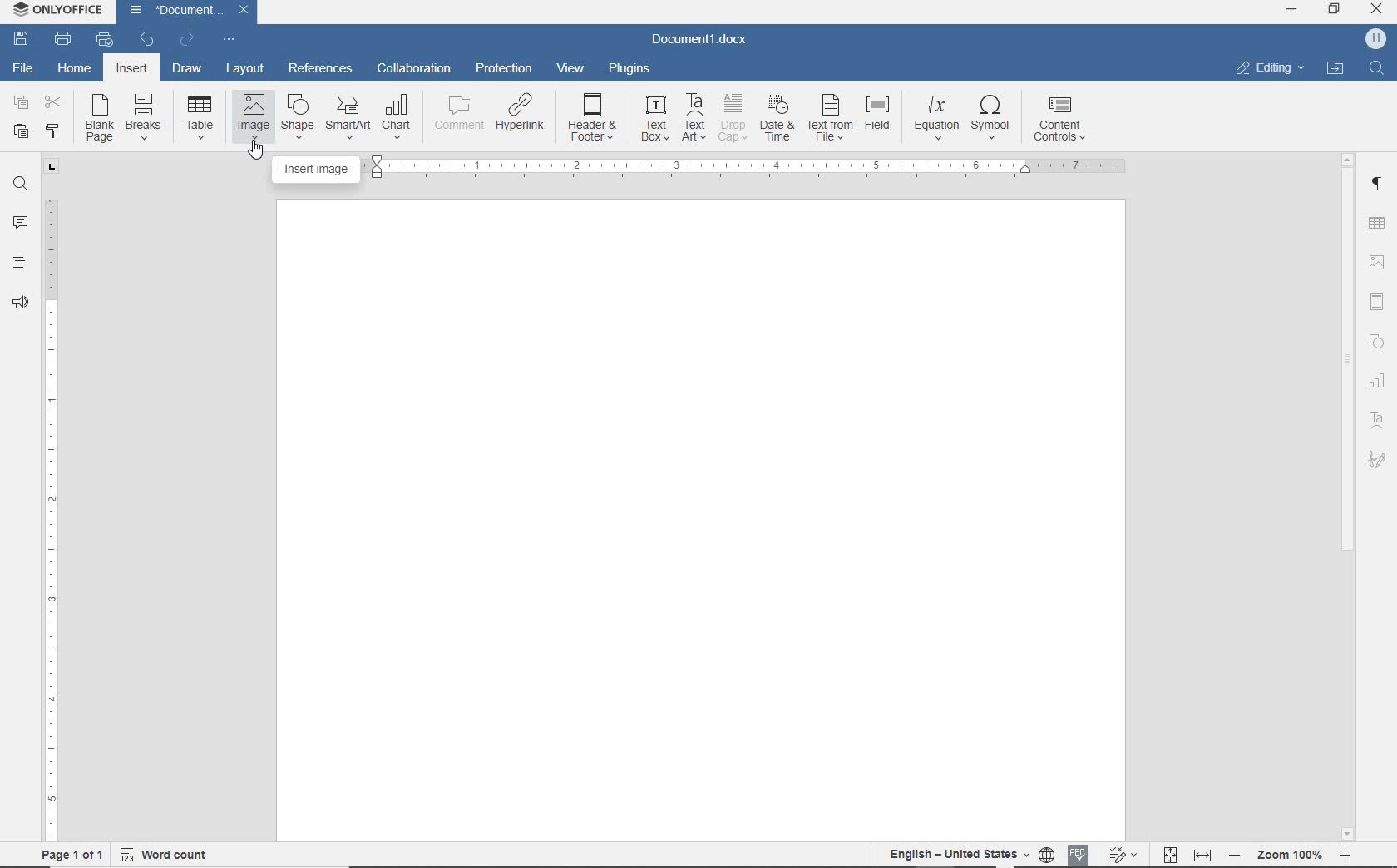 This screenshot has height=868, width=1397. What do you see at coordinates (993, 117) in the screenshot?
I see `symbol` at bounding box center [993, 117].